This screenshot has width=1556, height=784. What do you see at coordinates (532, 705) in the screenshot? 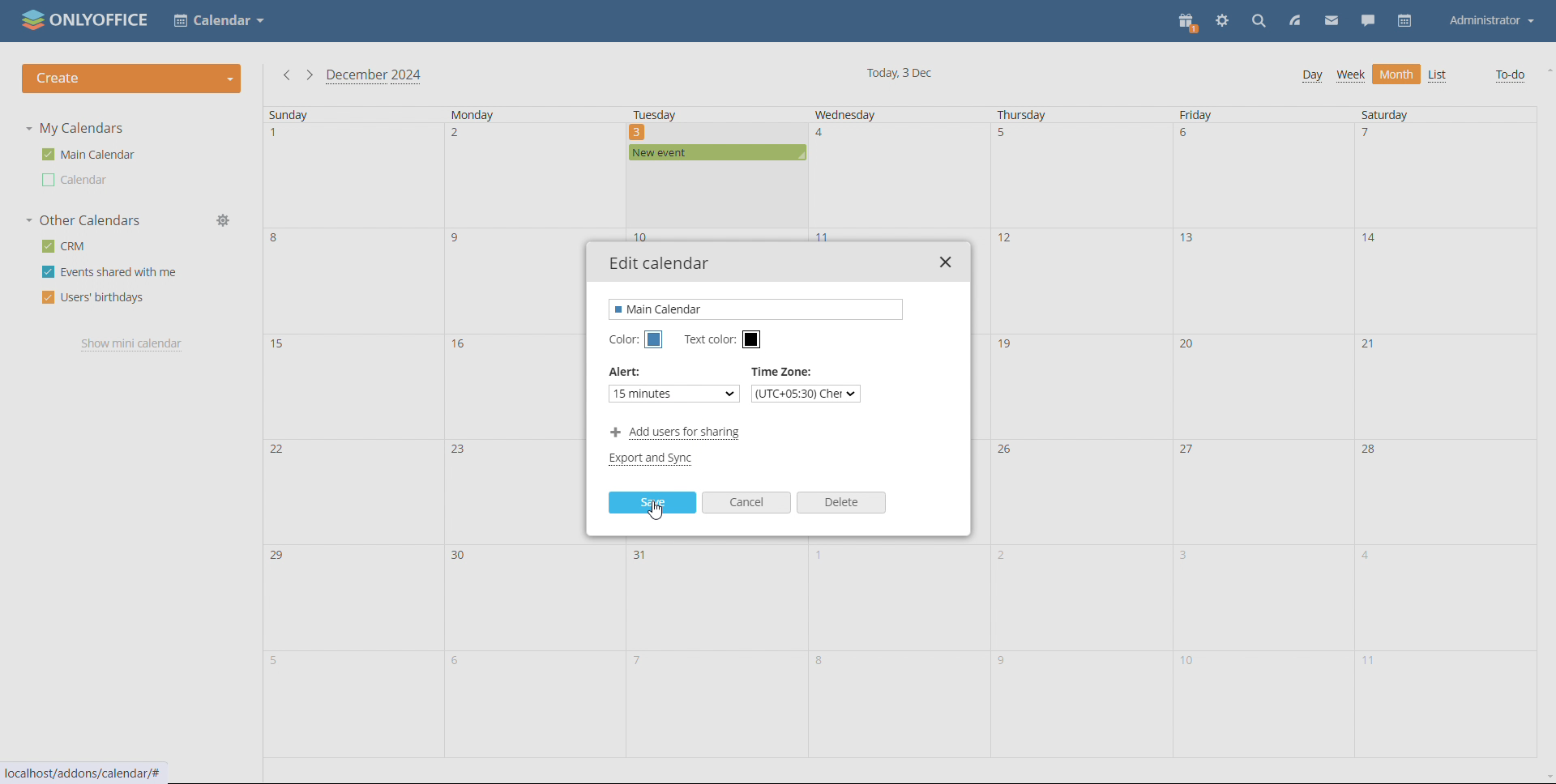
I see `date` at bounding box center [532, 705].